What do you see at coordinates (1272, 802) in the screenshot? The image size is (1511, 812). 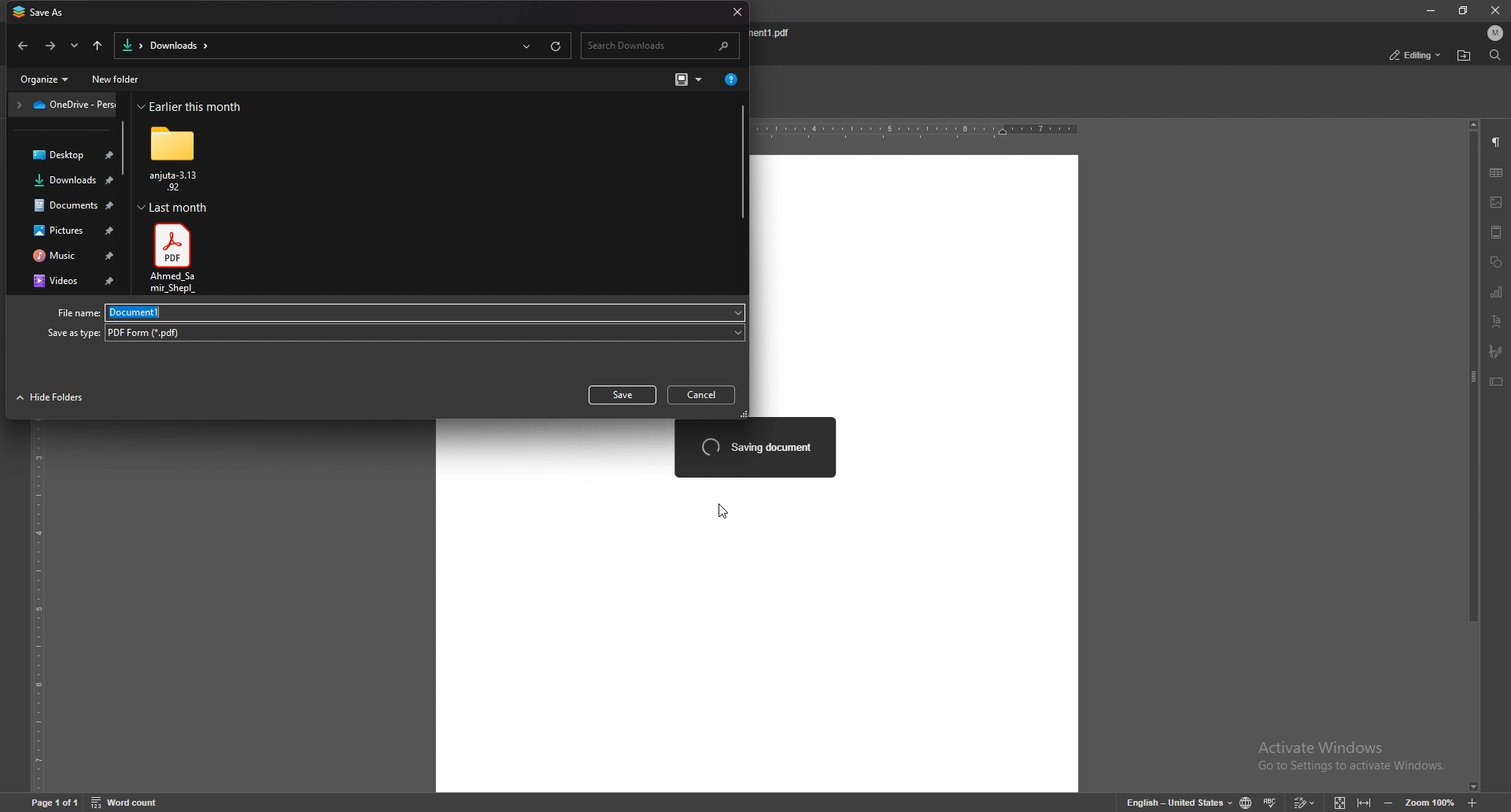 I see `spell check` at bounding box center [1272, 802].